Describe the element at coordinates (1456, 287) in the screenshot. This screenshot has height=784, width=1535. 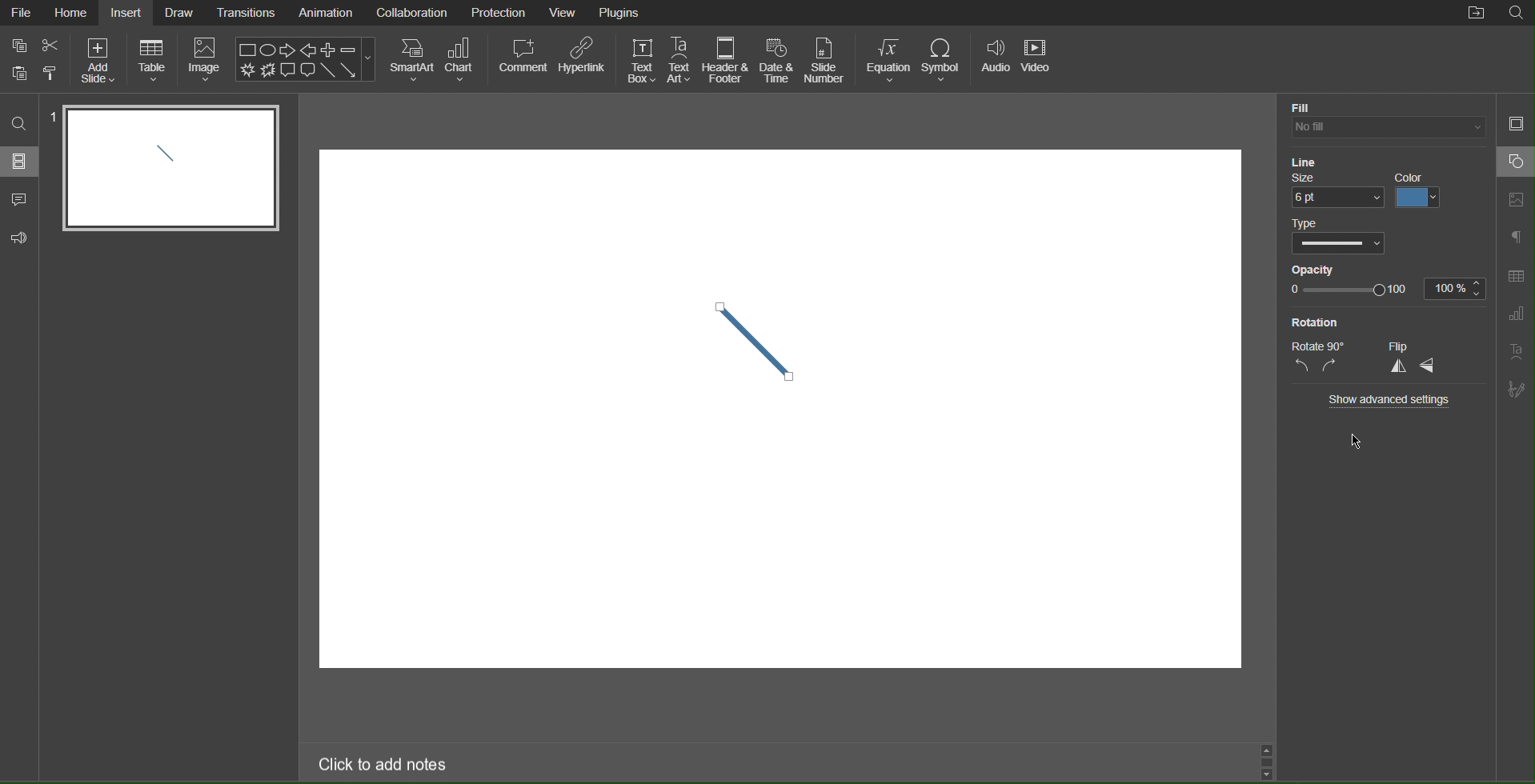
I see `100%` at that location.